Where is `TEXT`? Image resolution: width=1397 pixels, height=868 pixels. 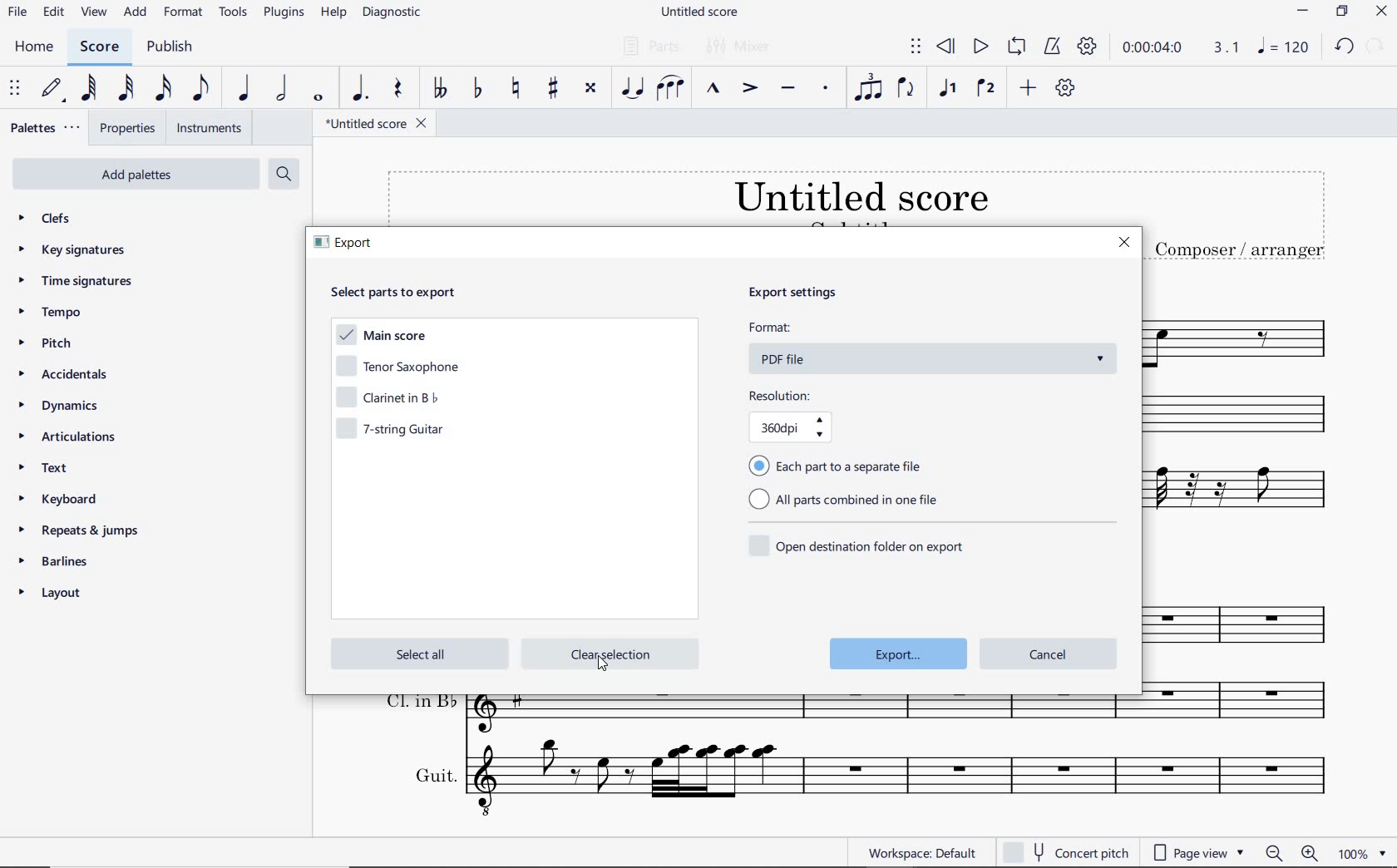
TEXT is located at coordinates (53, 470).